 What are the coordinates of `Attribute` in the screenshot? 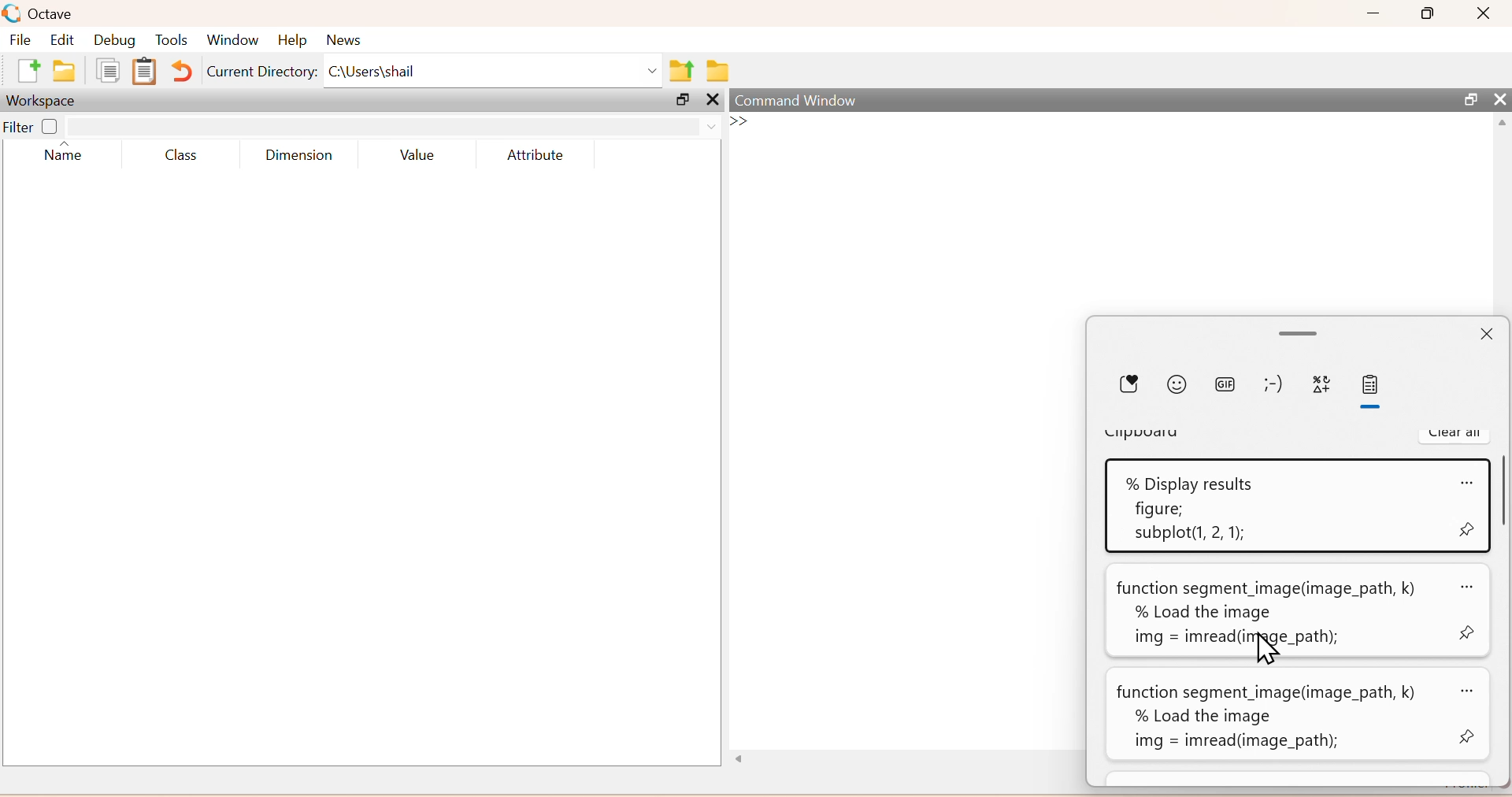 It's located at (532, 156).